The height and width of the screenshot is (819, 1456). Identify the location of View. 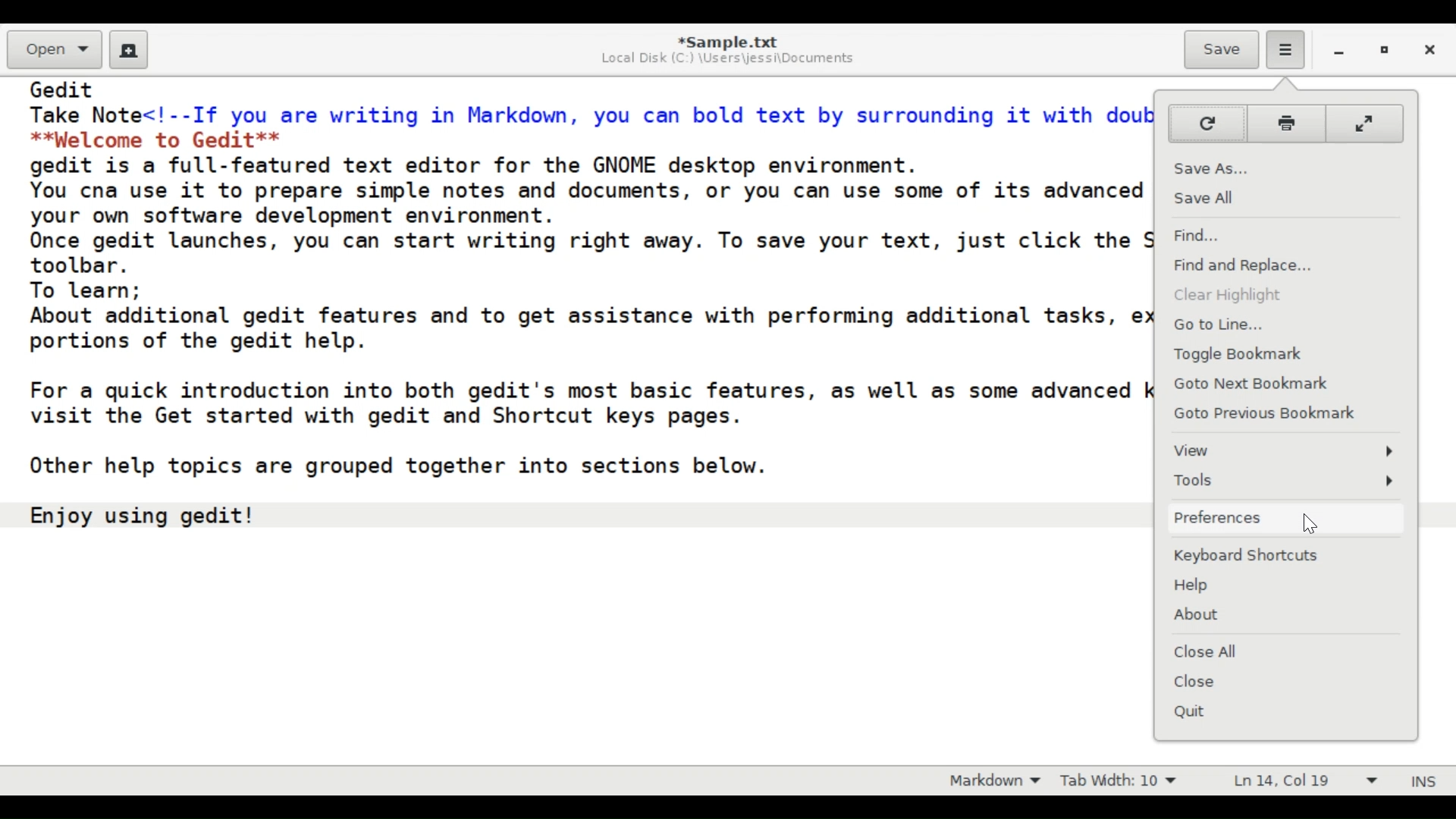
(1285, 453).